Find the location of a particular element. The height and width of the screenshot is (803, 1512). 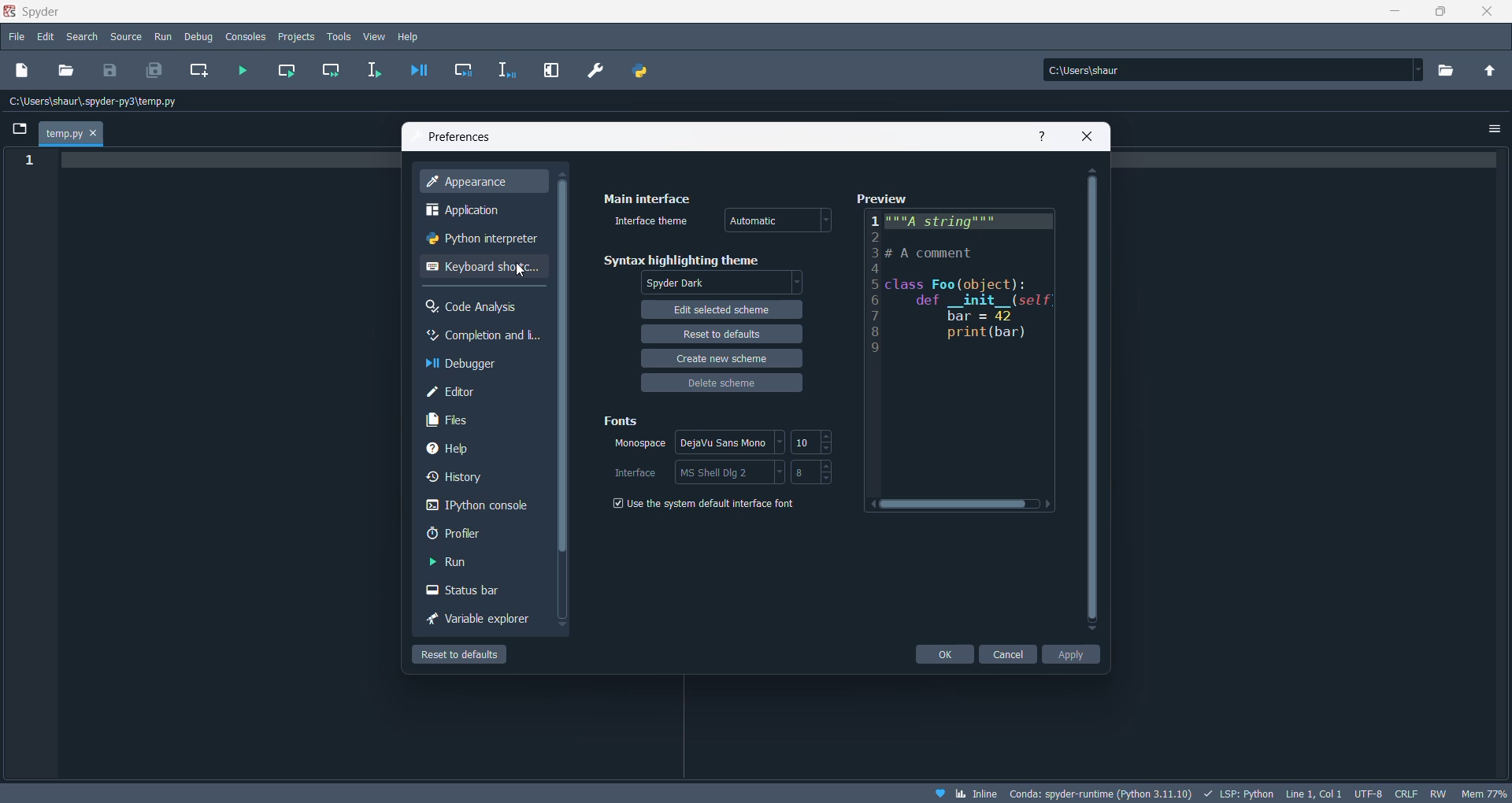

delete scheme is located at coordinates (721, 385).